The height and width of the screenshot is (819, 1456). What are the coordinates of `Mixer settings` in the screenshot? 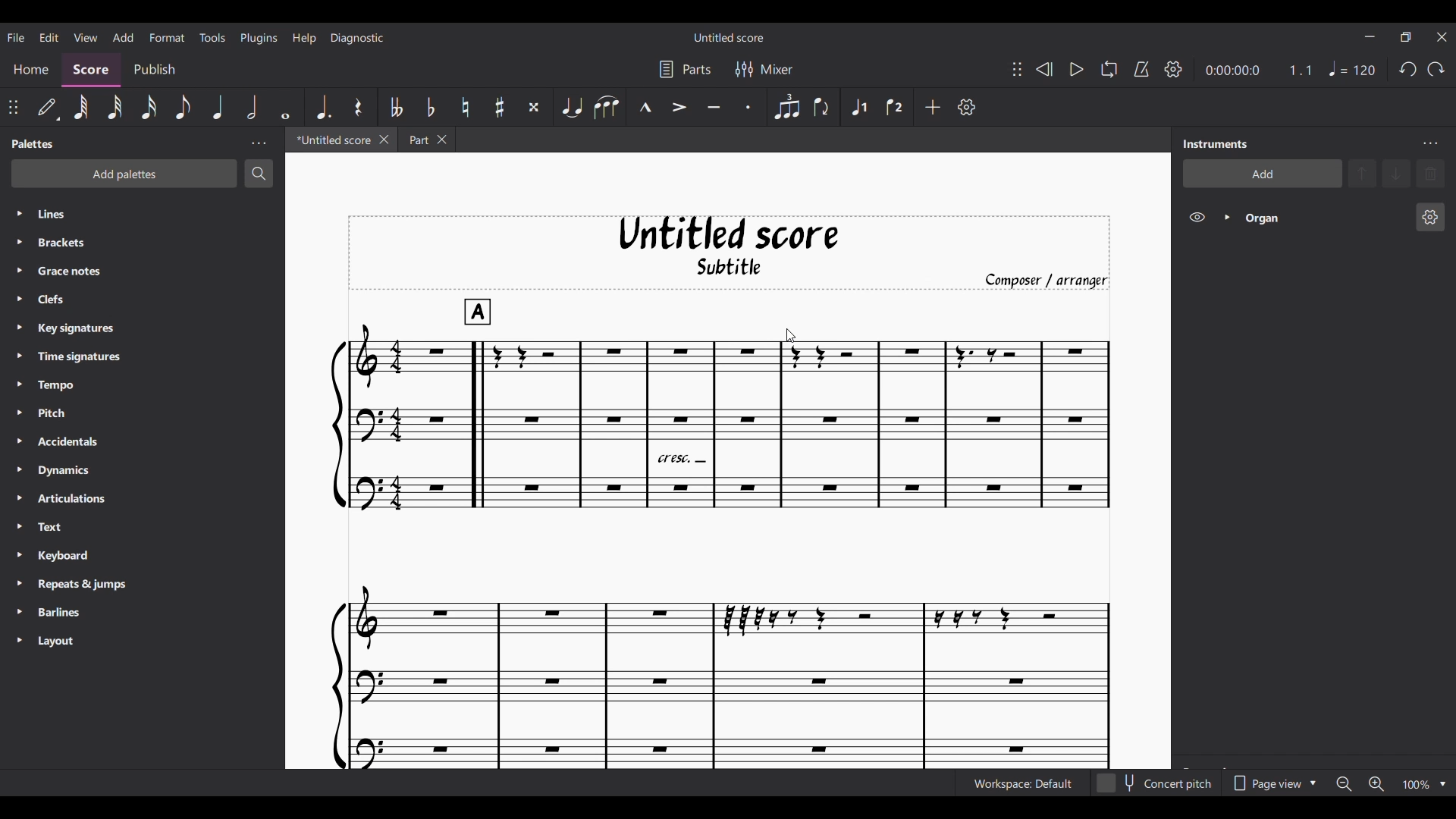 It's located at (765, 70).